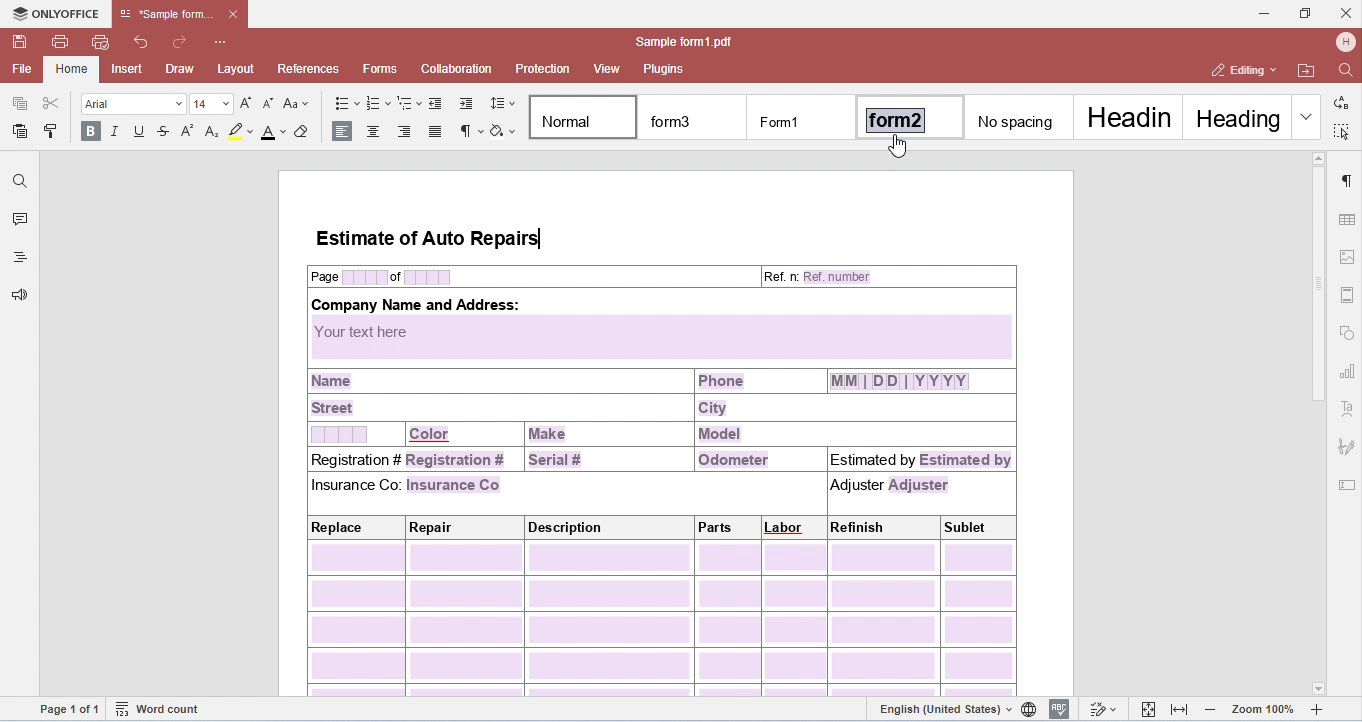  I want to click on align left, so click(342, 130).